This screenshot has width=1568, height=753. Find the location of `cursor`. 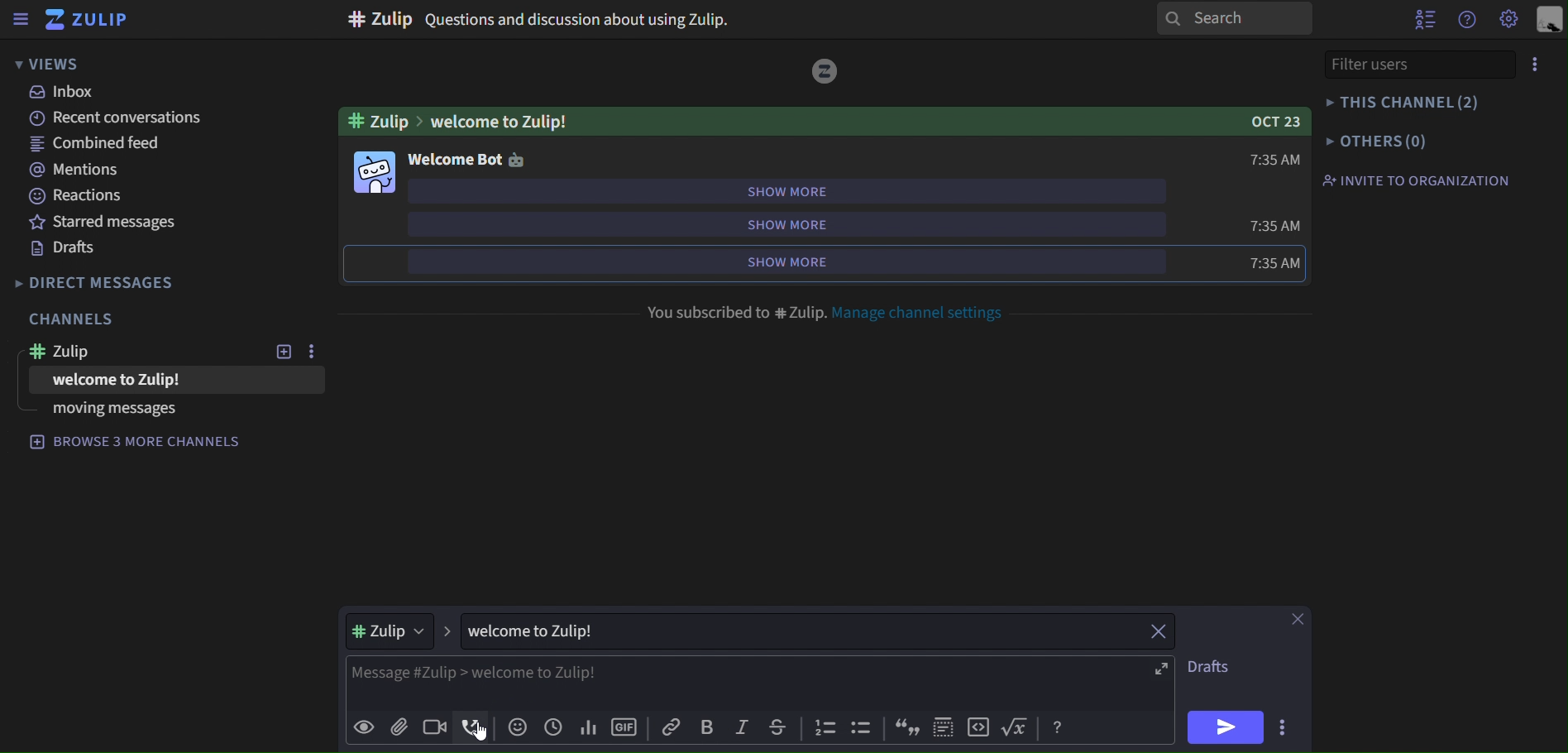

cursor is located at coordinates (486, 731).